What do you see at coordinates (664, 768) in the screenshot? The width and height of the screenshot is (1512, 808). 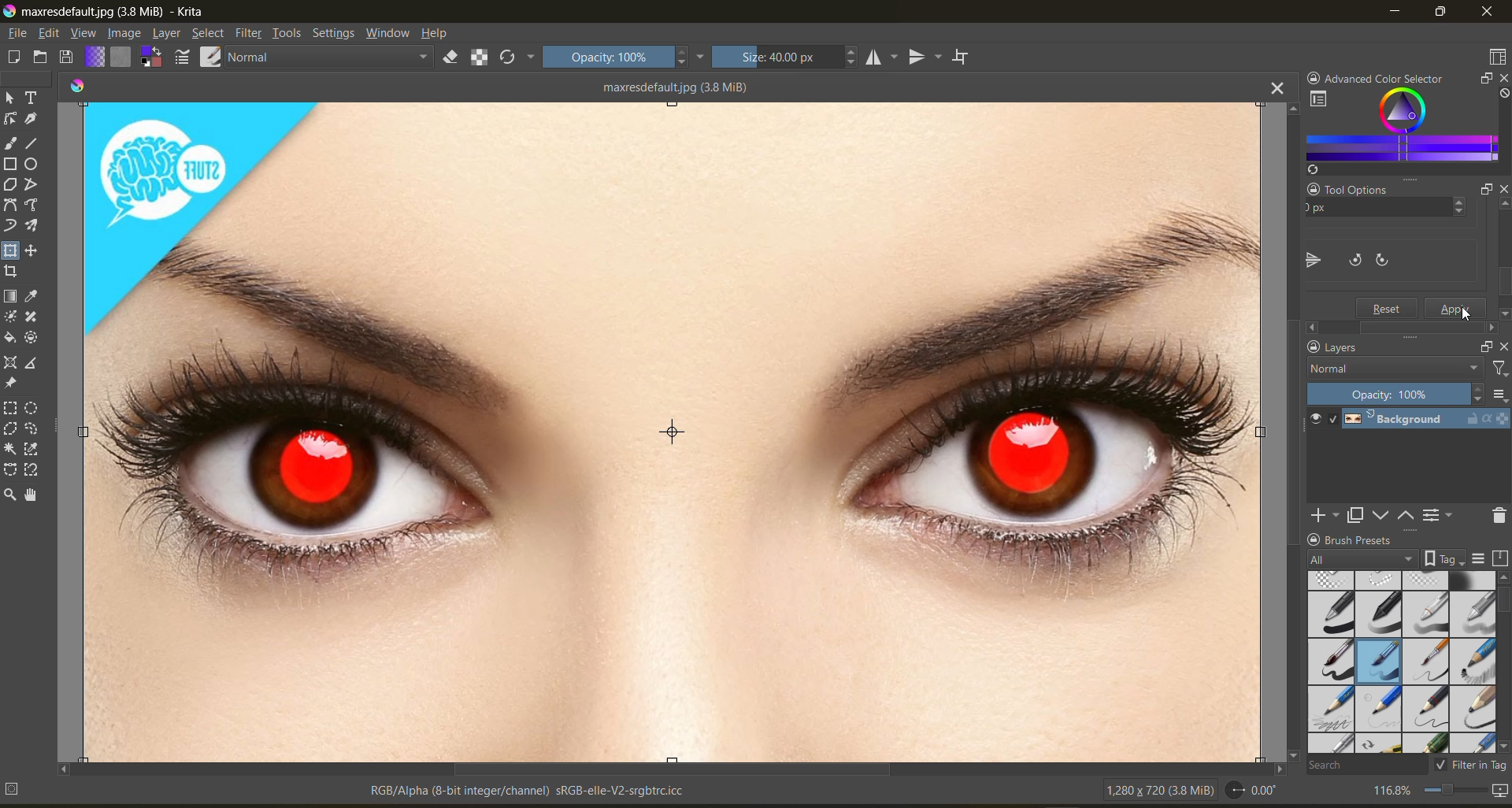 I see `horizontal scroll bar` at bounding box center [664, 768].